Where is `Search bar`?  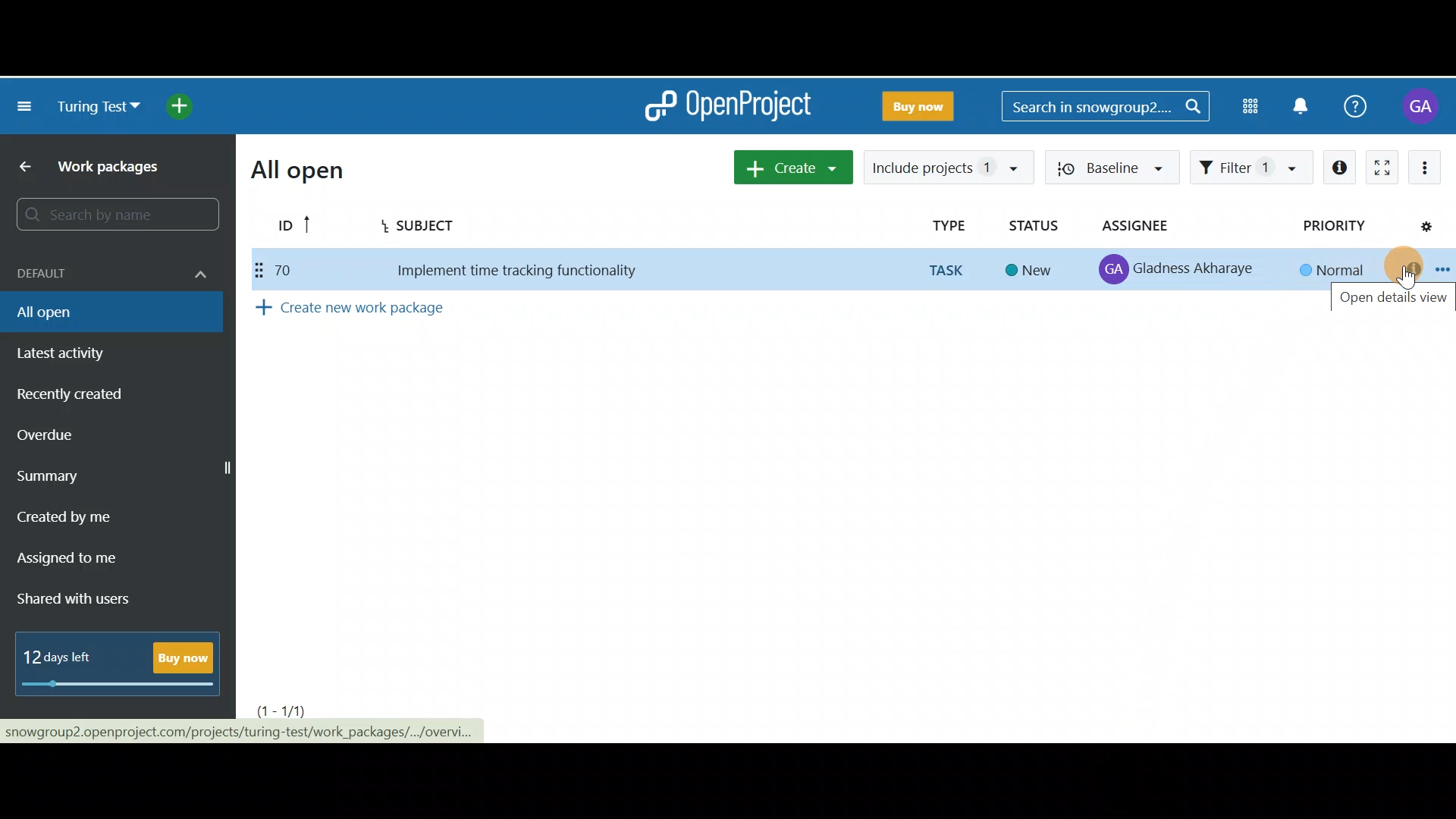 Search bar is located at coordinates (114, 215).